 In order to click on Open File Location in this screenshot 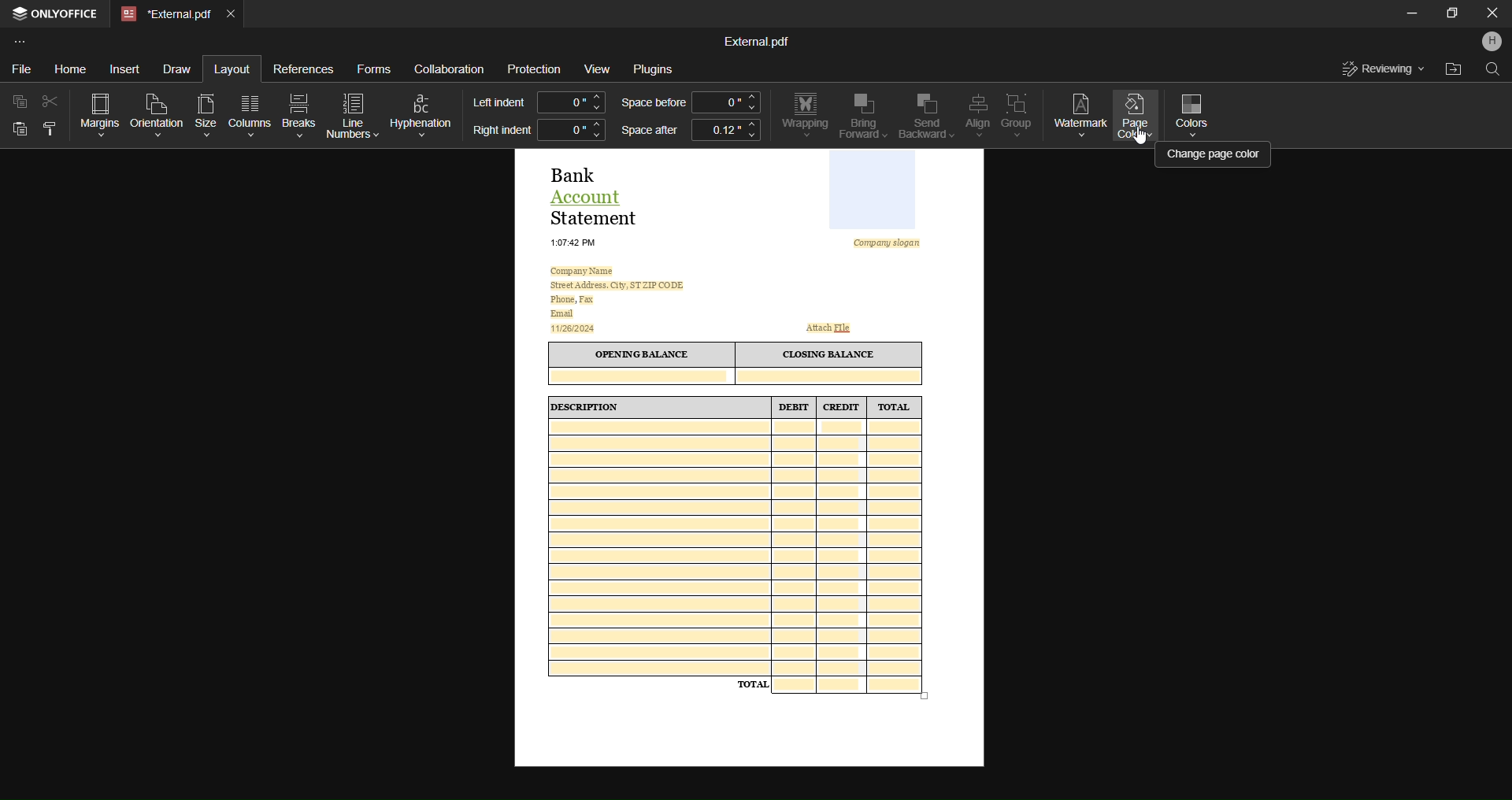, I will do `click(1451, 69)`.